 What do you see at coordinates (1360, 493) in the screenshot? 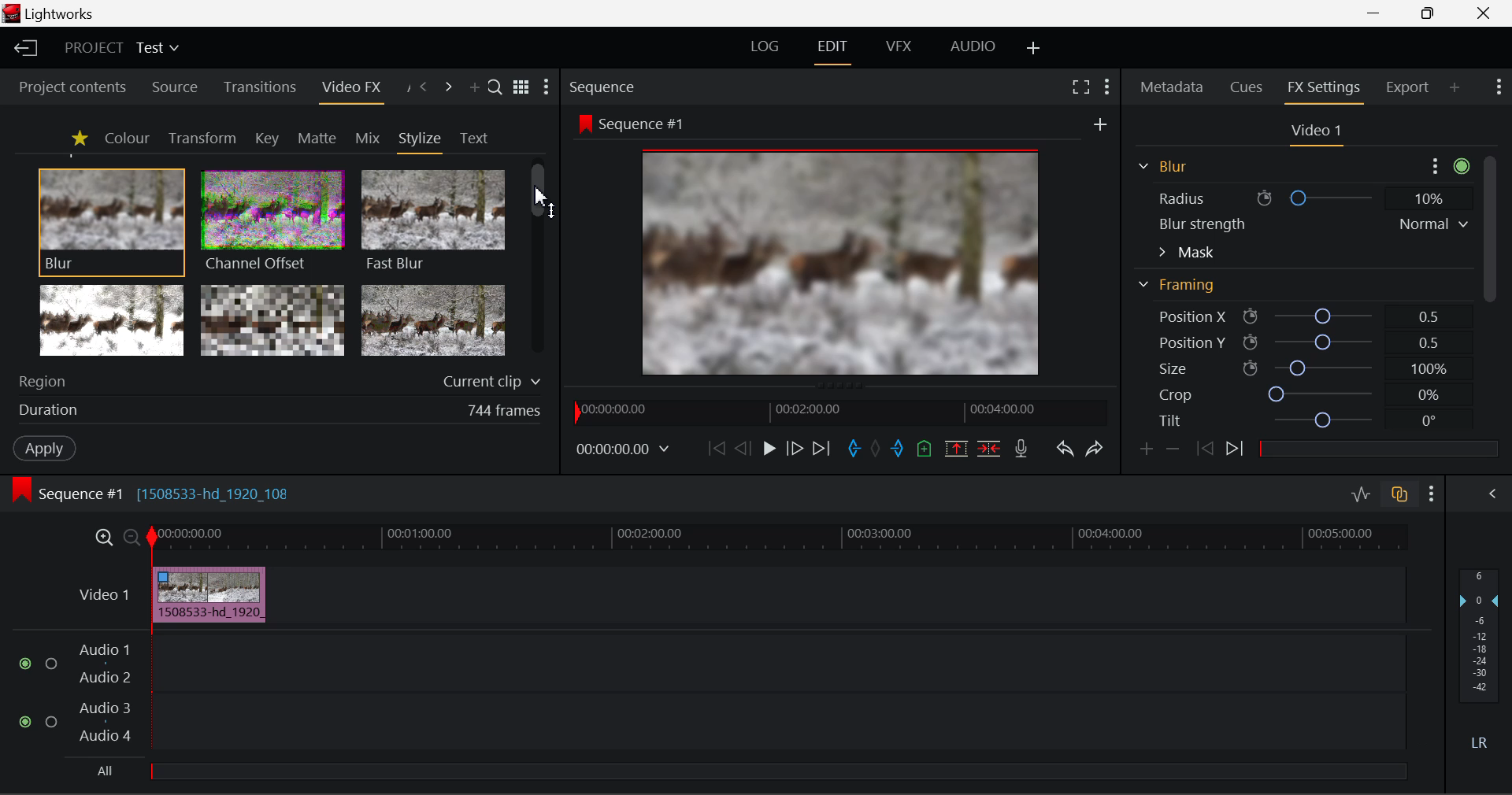
I see `Toggle audio levels editing` at bounding box center [1360, 493].